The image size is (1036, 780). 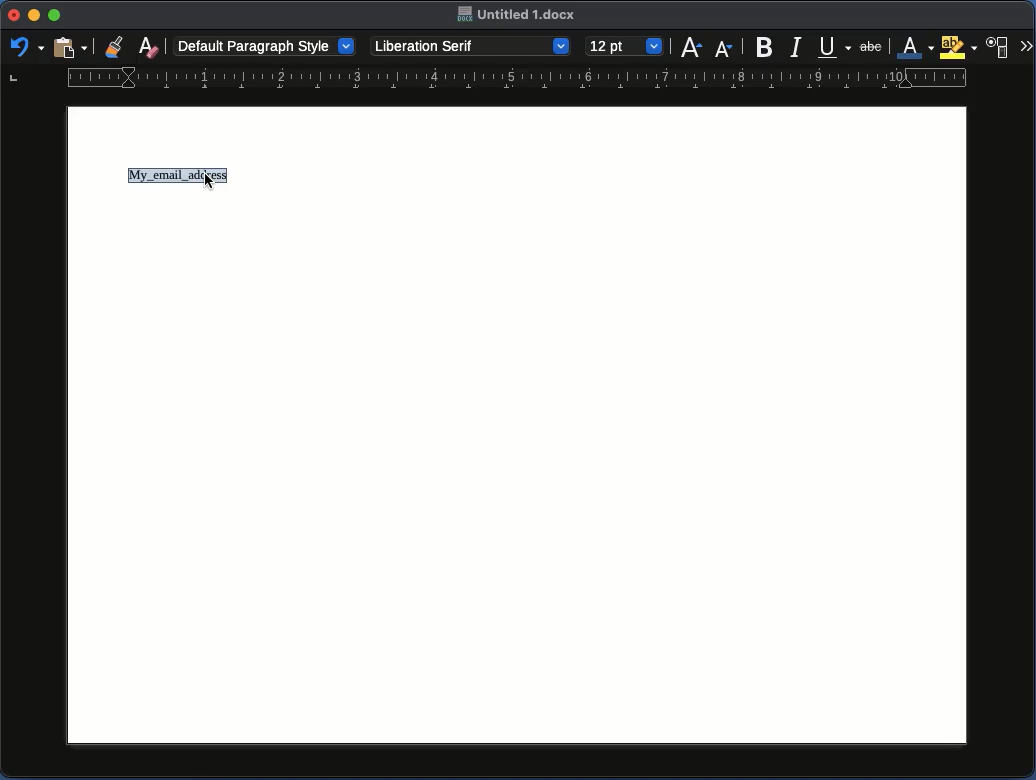 What do you see at coordinates (691, 47) in the screenshot?
I see `Size increase` at bounding box center [691, 47].